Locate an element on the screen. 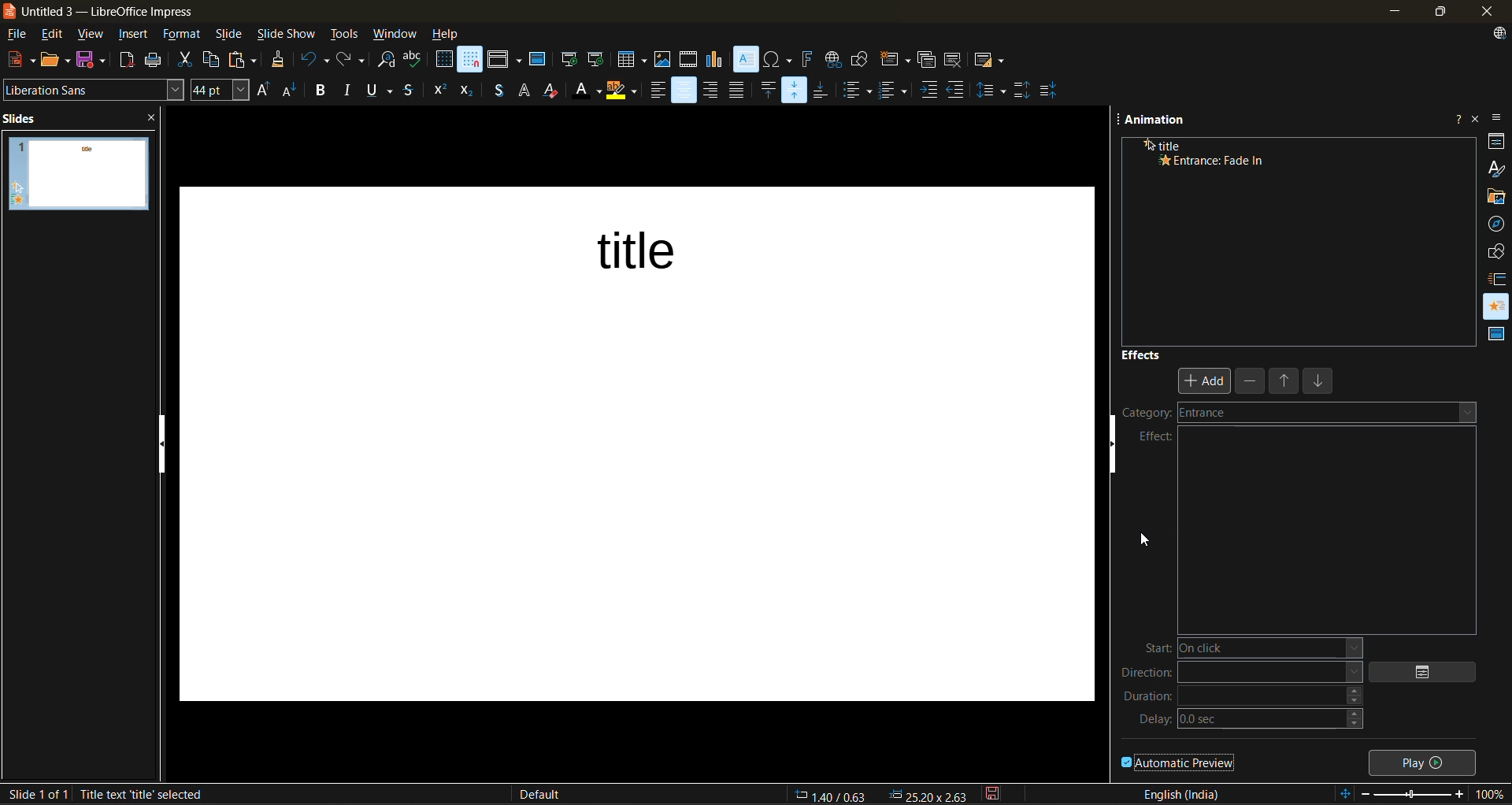 The image size is (1512, 805). insert image is located at coordinates (665, 60).